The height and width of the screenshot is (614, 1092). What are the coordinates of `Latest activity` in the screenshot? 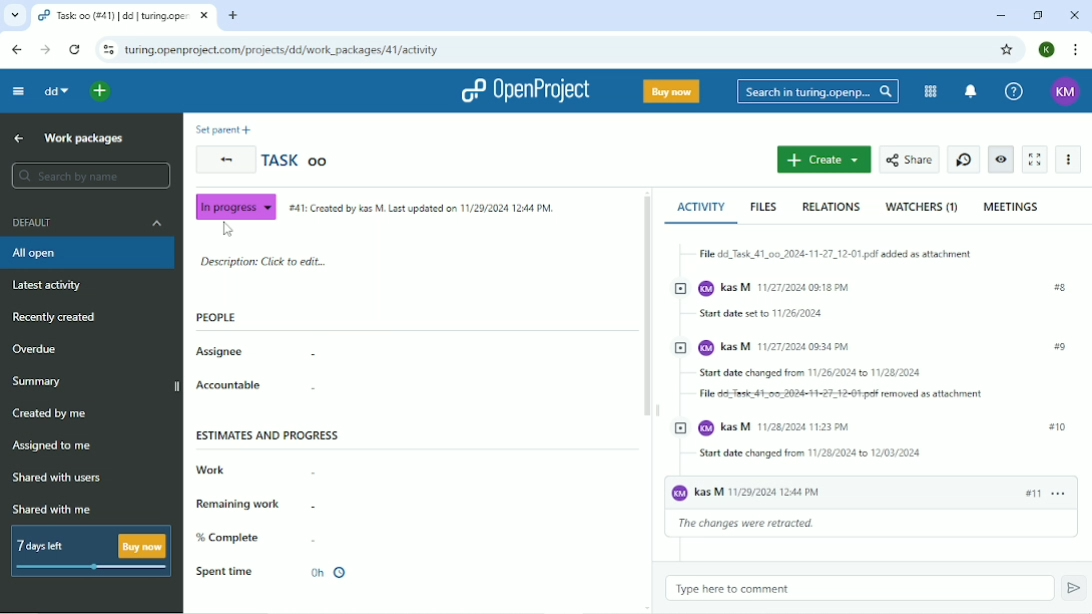 It's located at (50, 285).